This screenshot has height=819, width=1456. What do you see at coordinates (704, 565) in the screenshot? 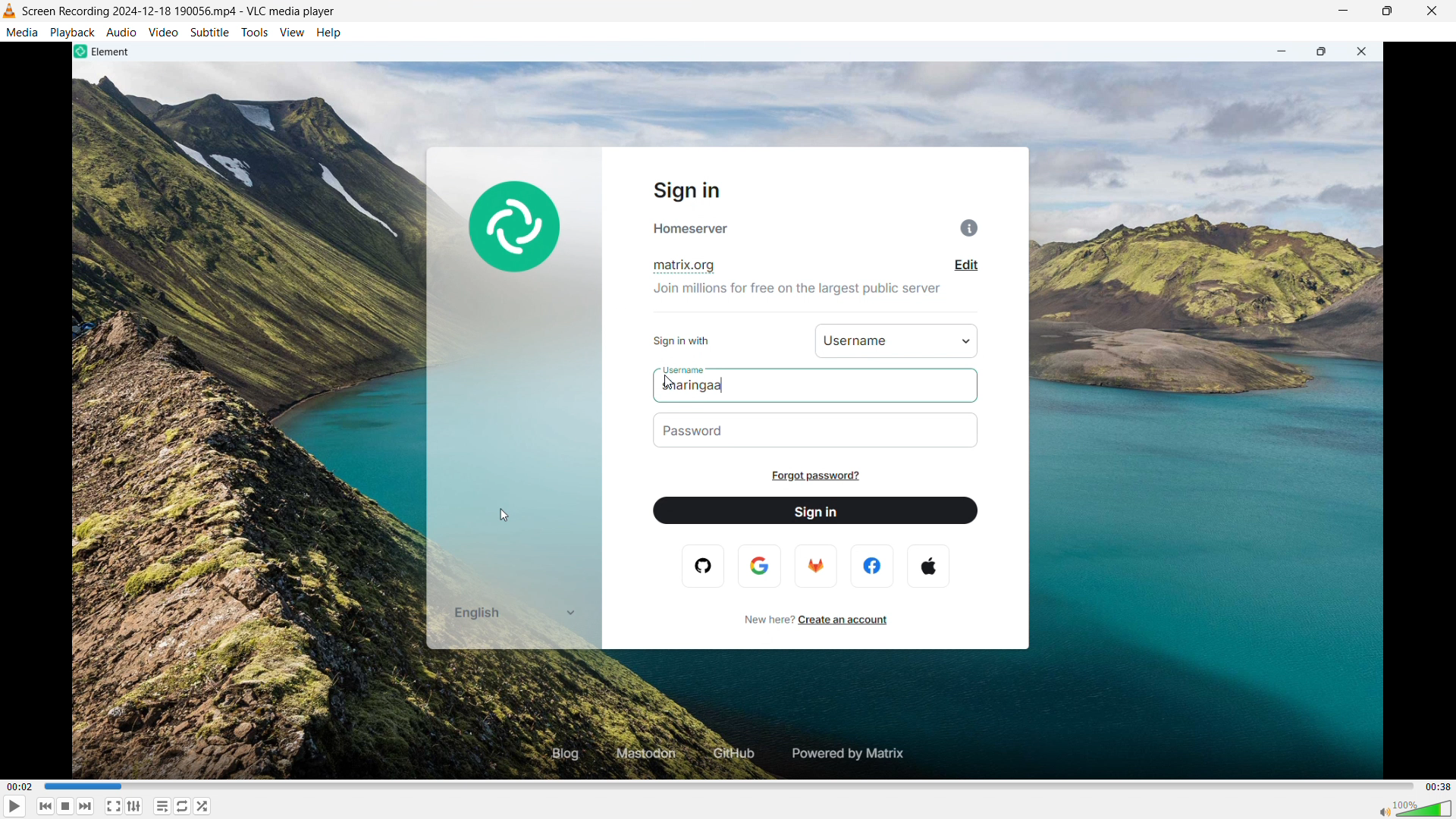
I see `opera logo` at bounding box center [704, 565].